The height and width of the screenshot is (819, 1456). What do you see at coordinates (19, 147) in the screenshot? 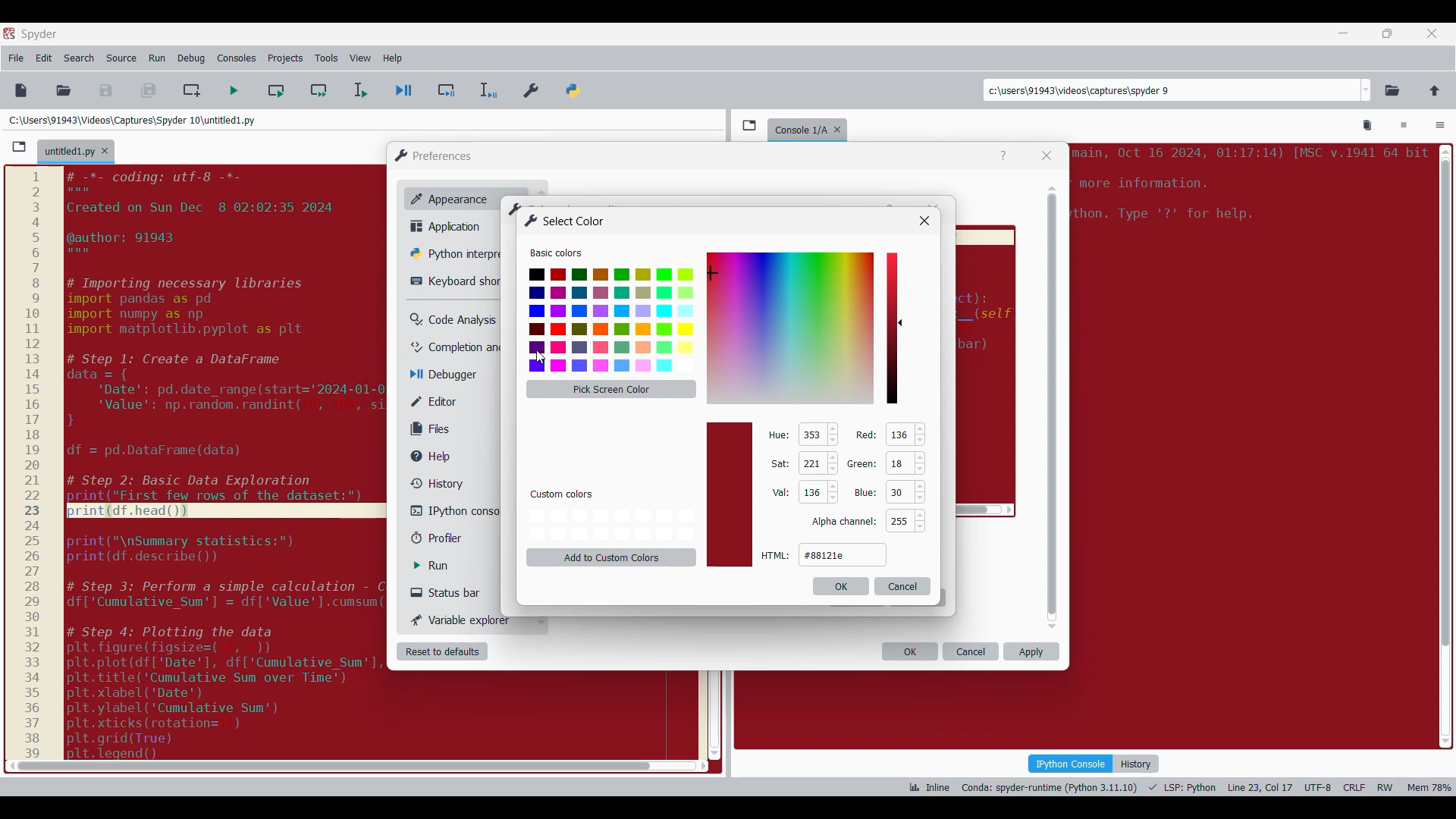
I see `Browse tabs` at bounding box center [19, 147].